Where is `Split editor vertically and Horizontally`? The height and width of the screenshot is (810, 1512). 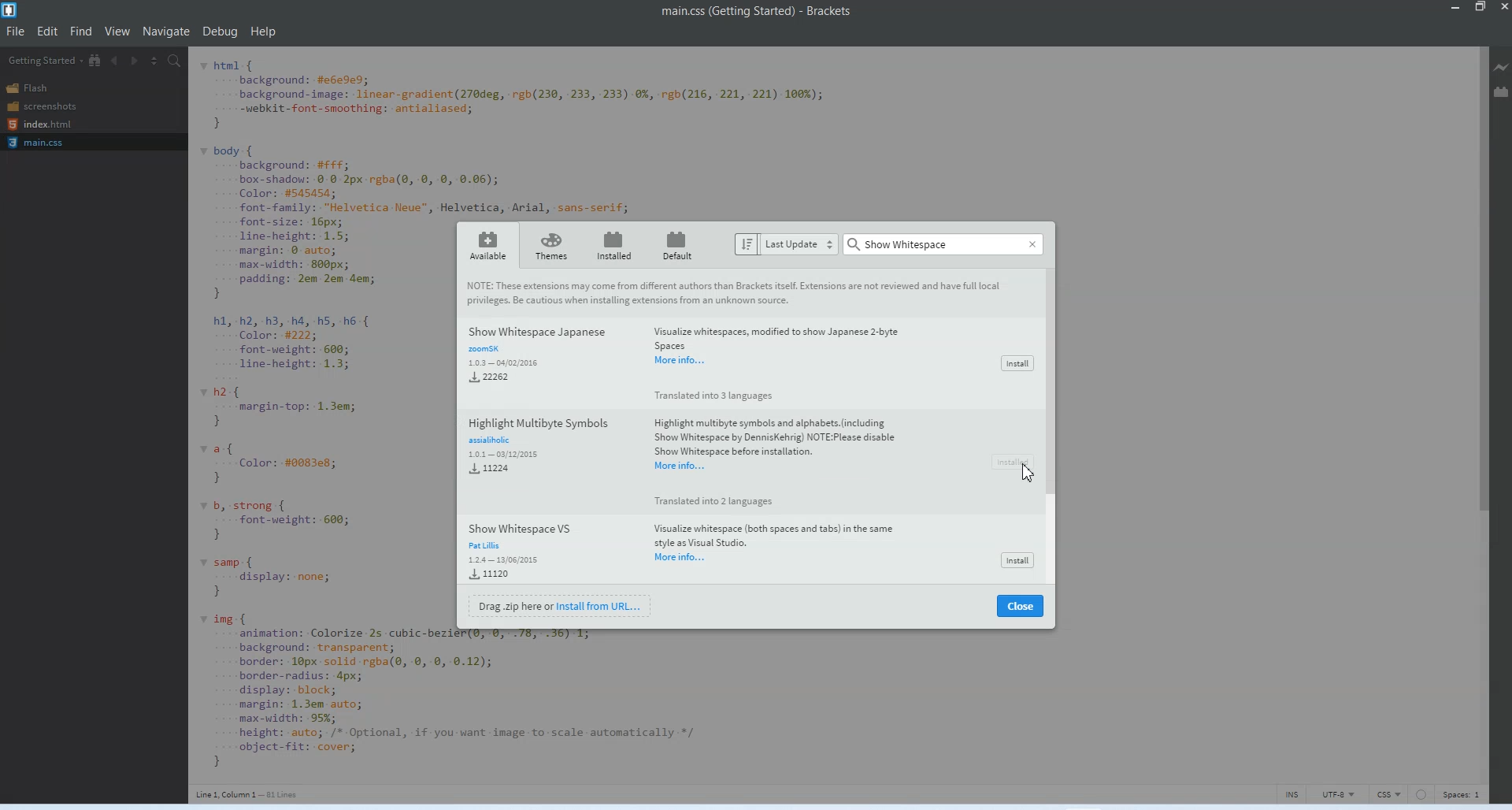 Split editor vertically and Horizontally is located at coordinates (154, 59).